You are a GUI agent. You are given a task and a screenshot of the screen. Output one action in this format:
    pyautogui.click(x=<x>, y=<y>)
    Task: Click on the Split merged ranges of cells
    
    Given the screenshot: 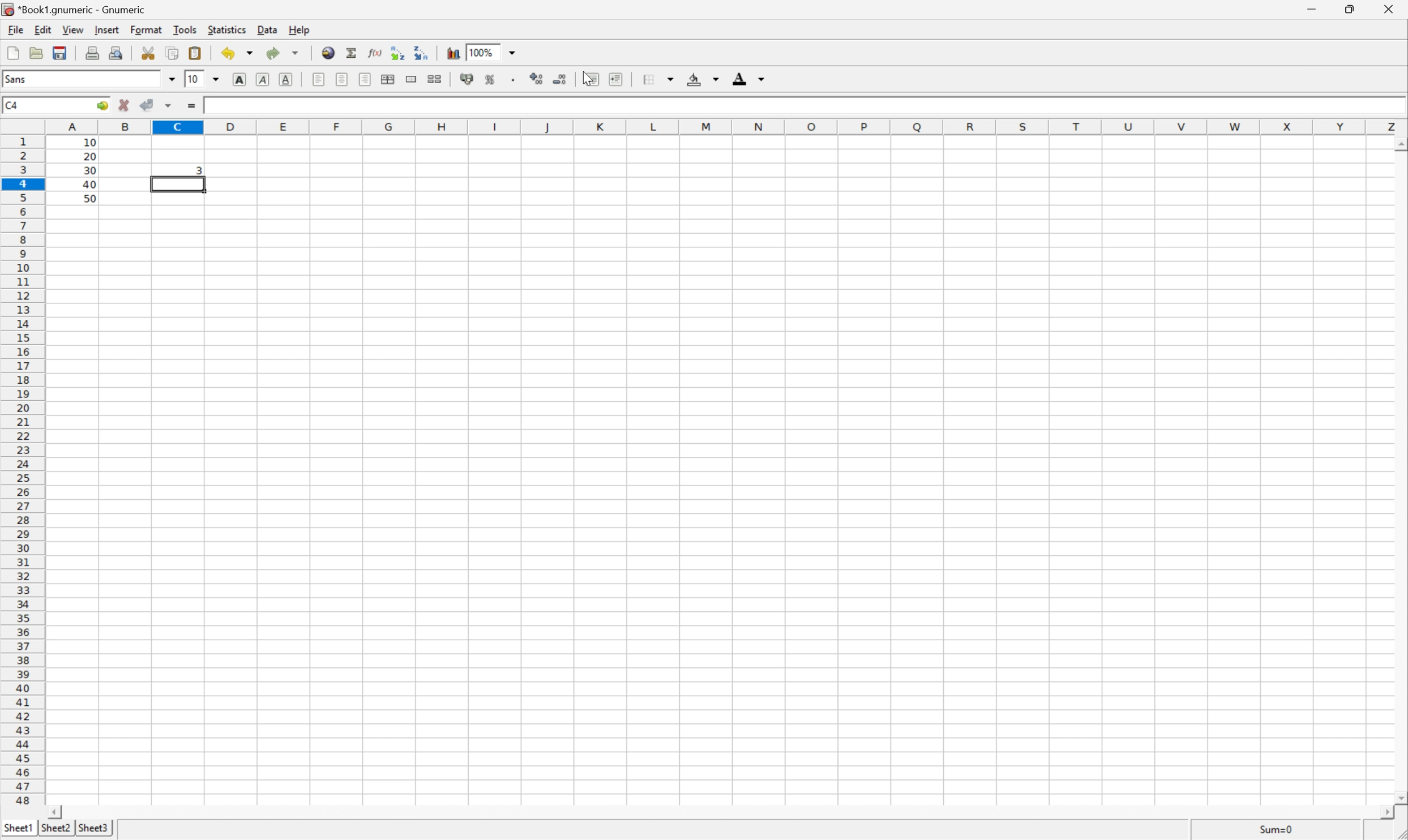 What is the action you would take?
    pyautogui.click(x=438, y=77)
    